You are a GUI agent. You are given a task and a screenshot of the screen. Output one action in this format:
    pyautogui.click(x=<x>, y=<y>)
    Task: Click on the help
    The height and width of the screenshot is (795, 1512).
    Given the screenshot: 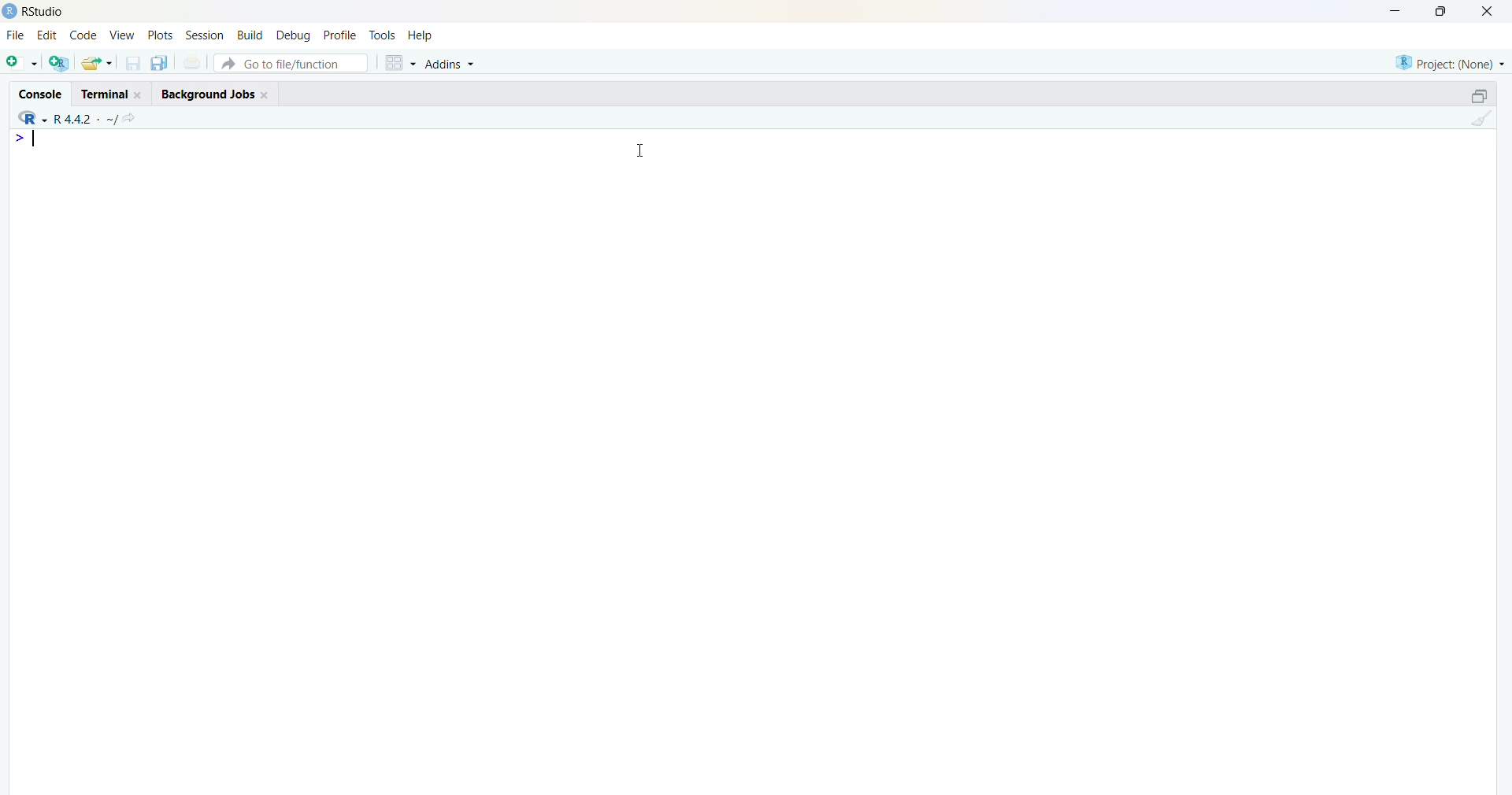 What is the action you would take?
    pyautogui.click(x=423, y=35)
    